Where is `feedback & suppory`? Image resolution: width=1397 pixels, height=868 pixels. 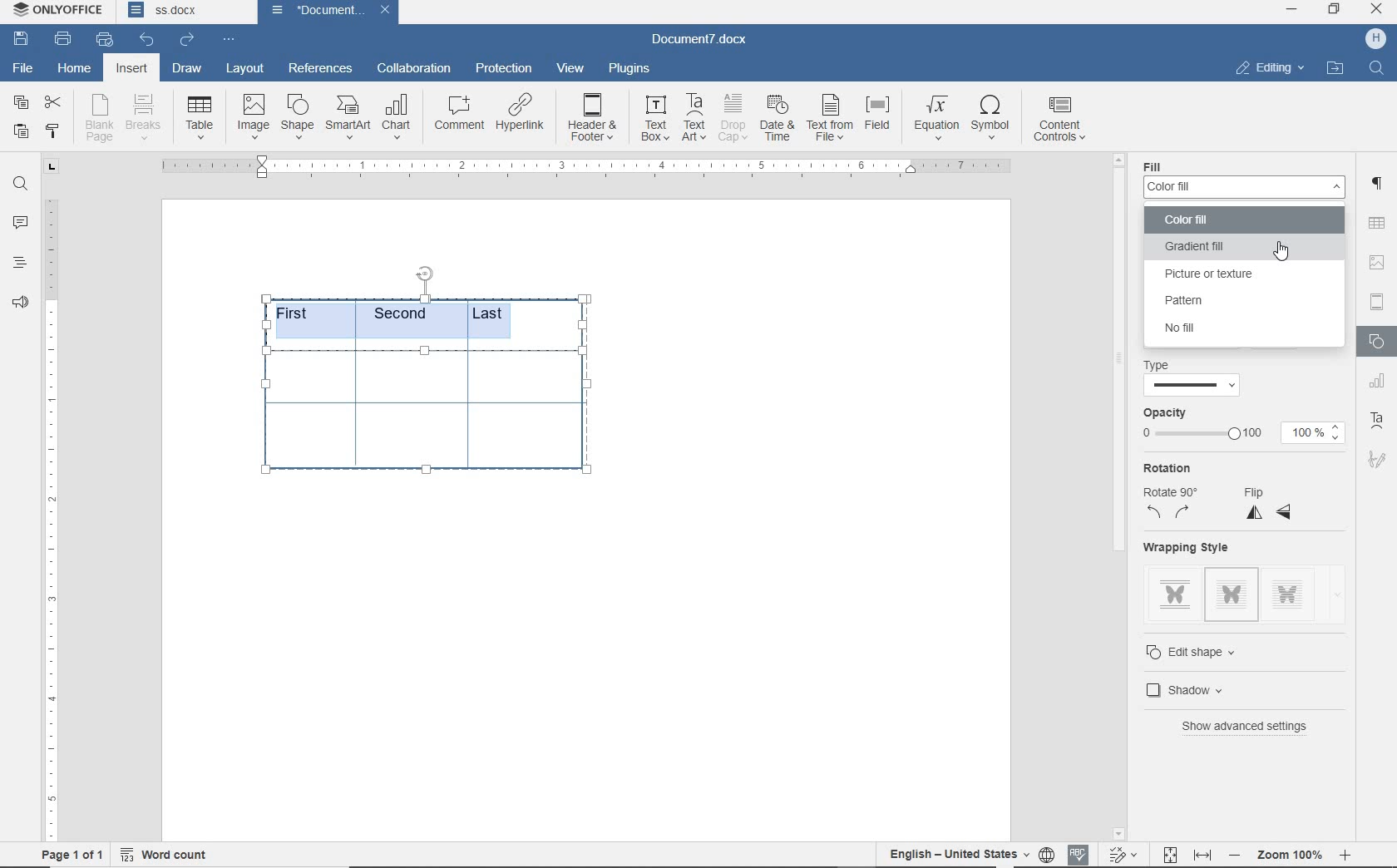
feedback & suppory is located at coordinates (21, 305).